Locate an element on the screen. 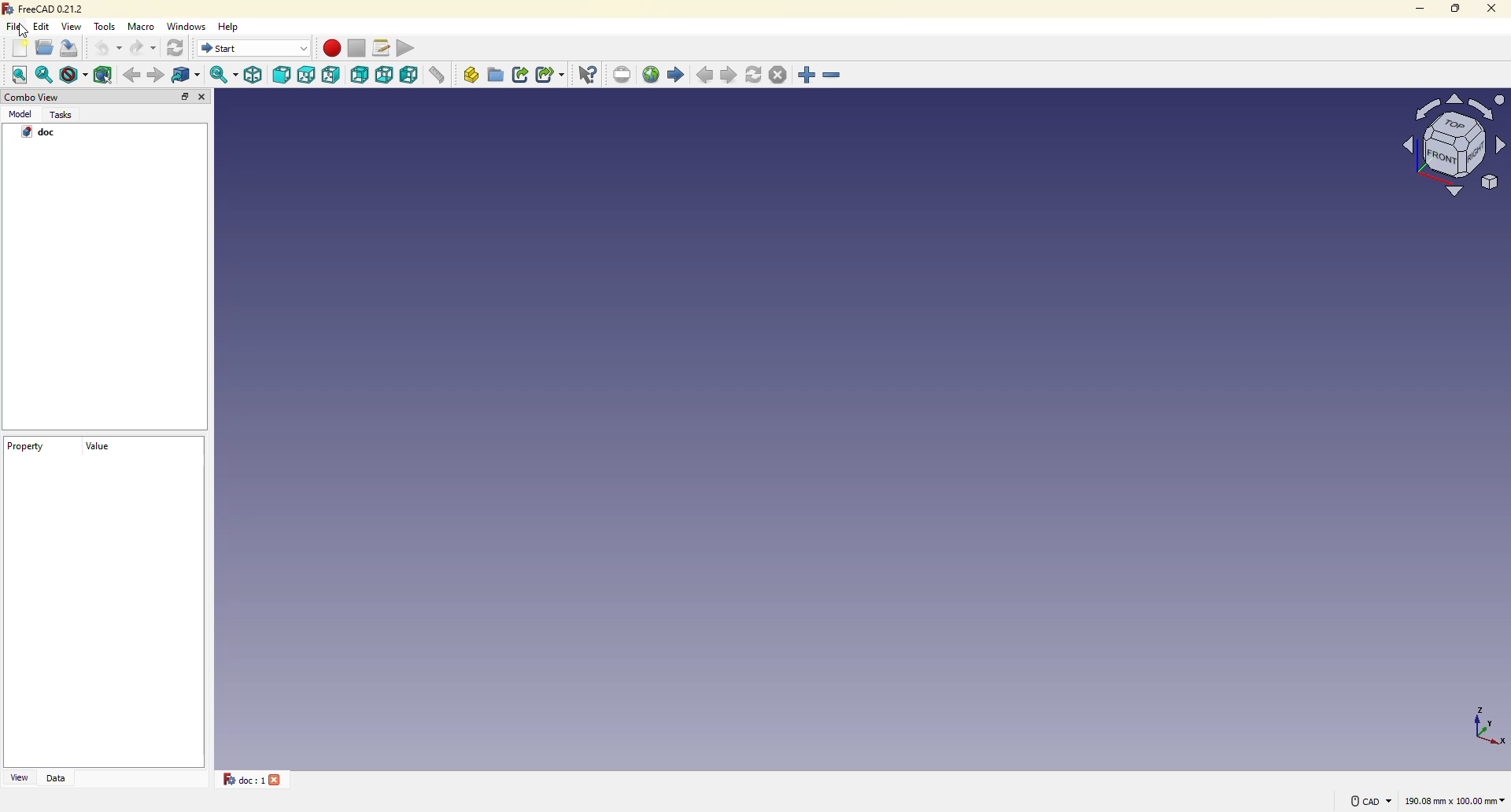 Image resolution: width=1511 pixels, height=812 pixels. open is located at coordinates (44, 47).